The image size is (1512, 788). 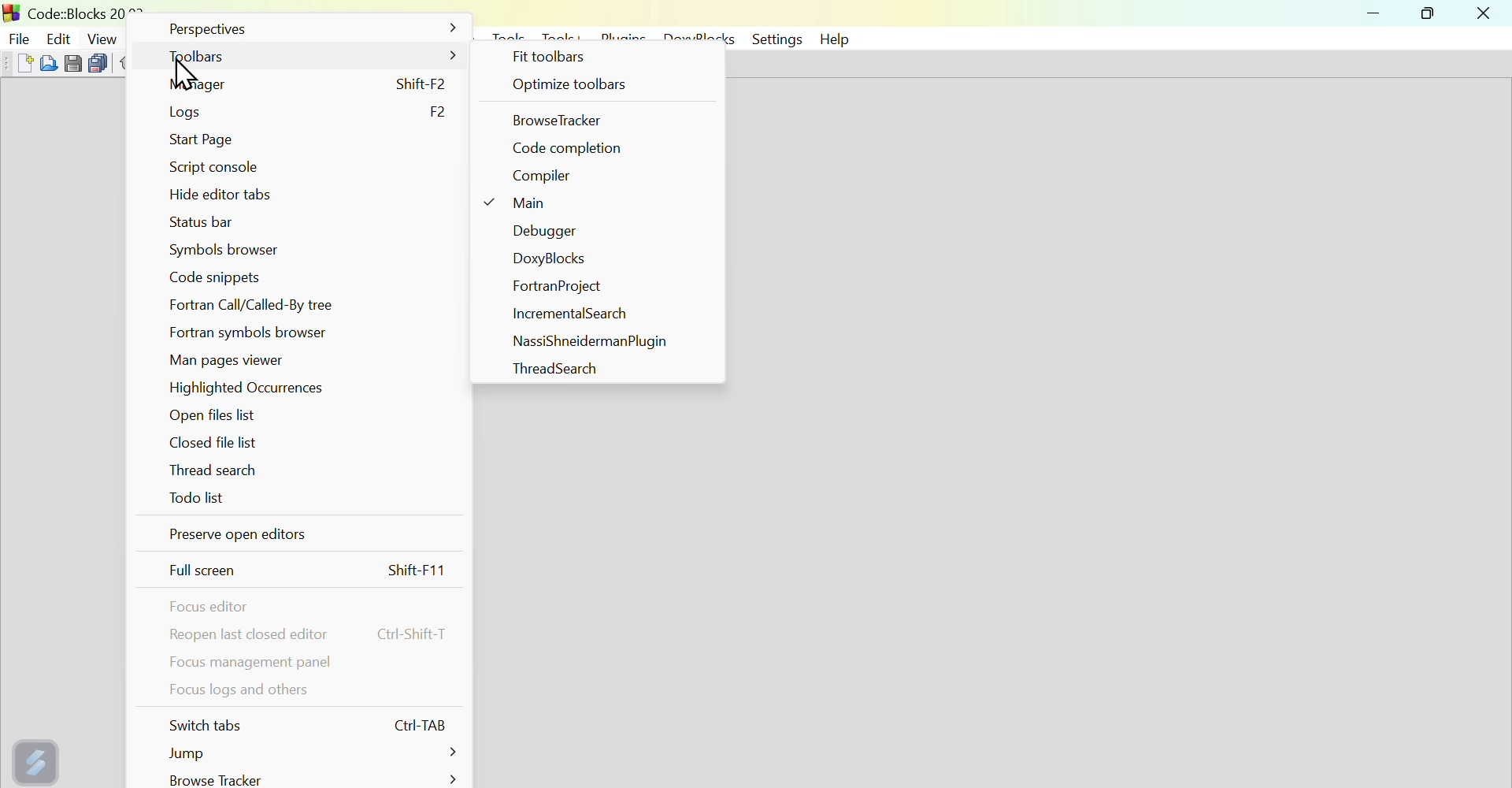 I want to click on To do list, so click(x=199, y=504).